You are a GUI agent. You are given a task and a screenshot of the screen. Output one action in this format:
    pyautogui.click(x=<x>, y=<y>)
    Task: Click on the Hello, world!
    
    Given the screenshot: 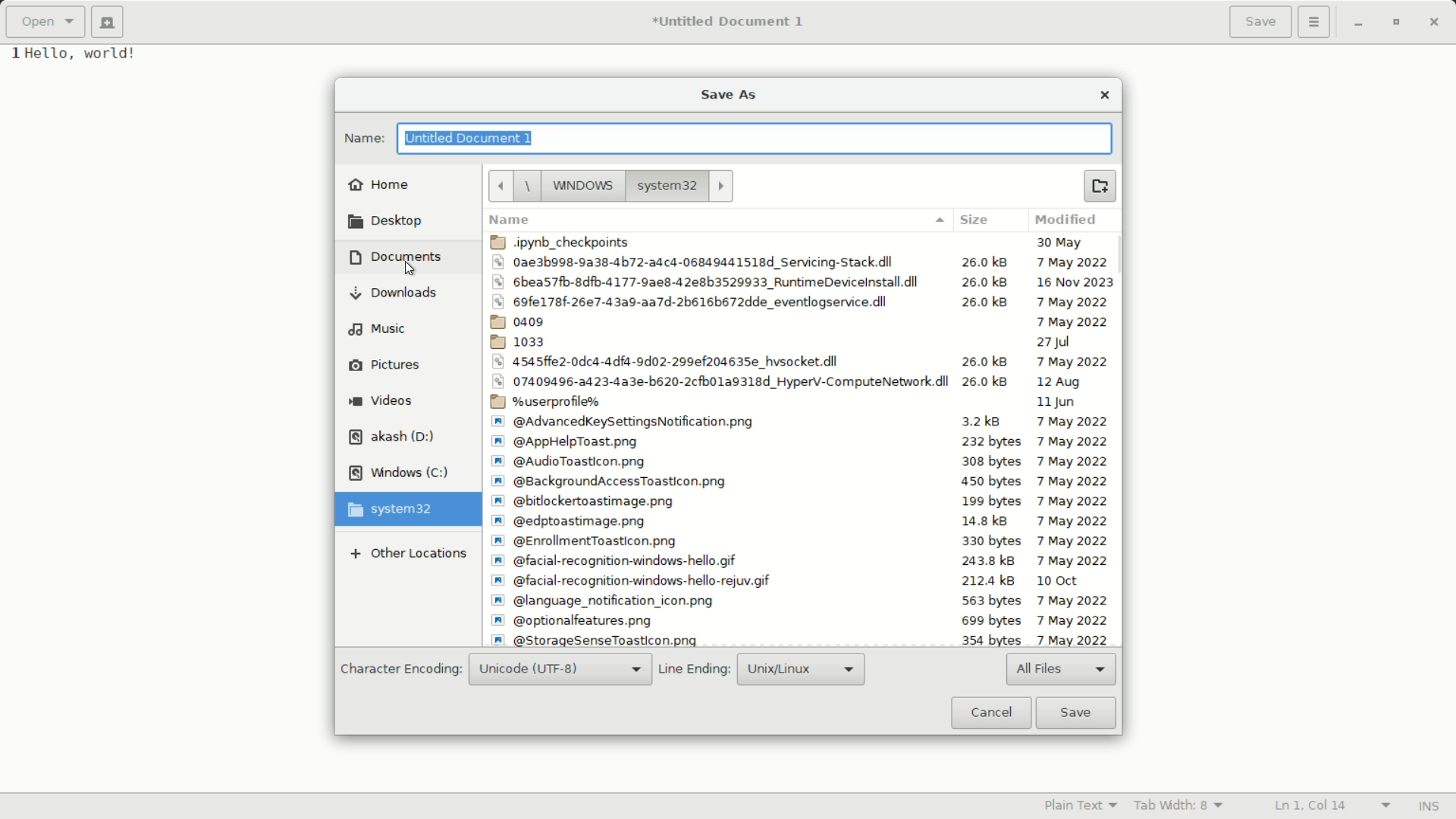 What is the action you would take?
    pyautogui.click(x=95, y=55)
    